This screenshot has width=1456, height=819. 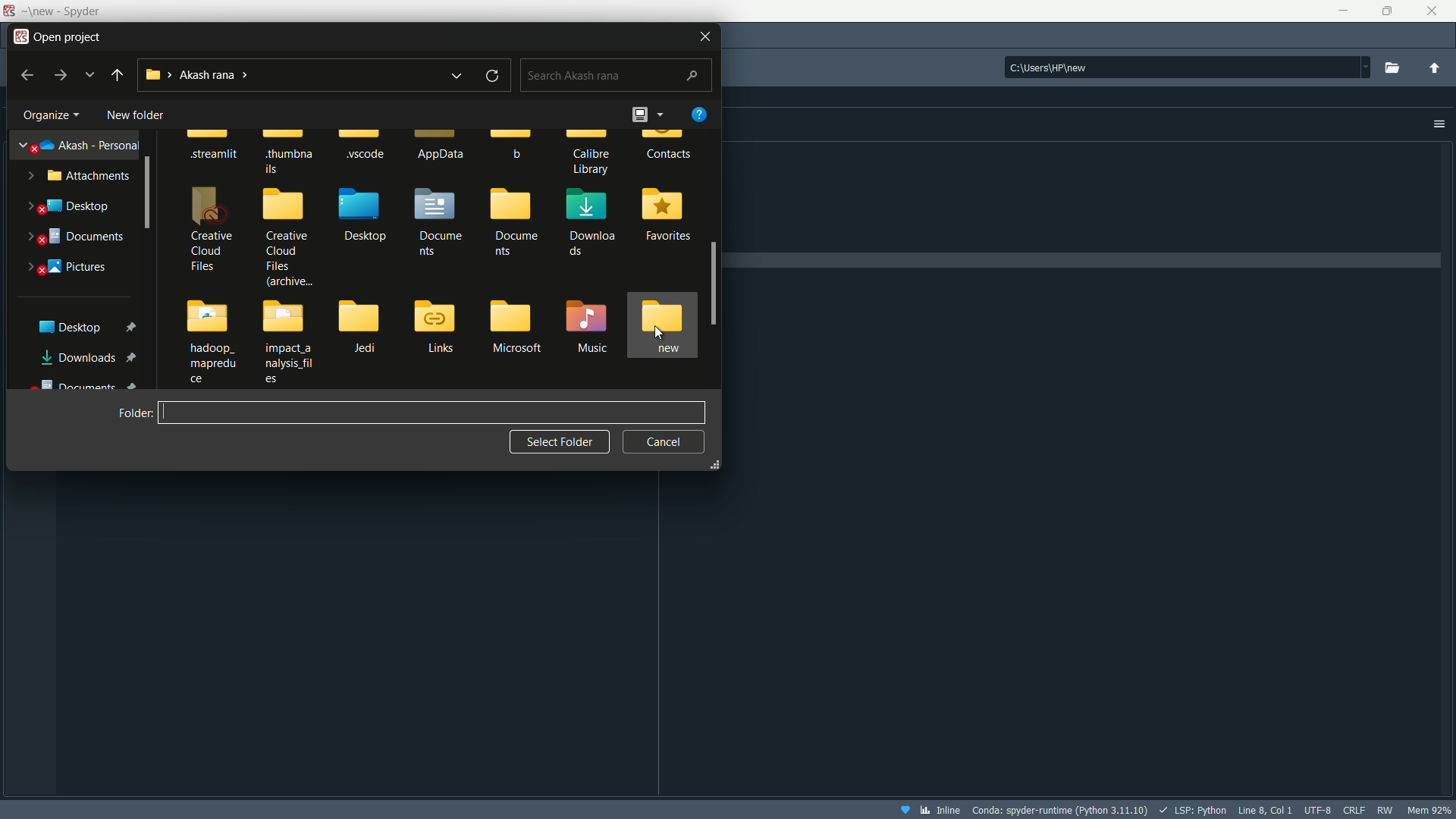 I want to click on change view, so click(x=645, y=114).